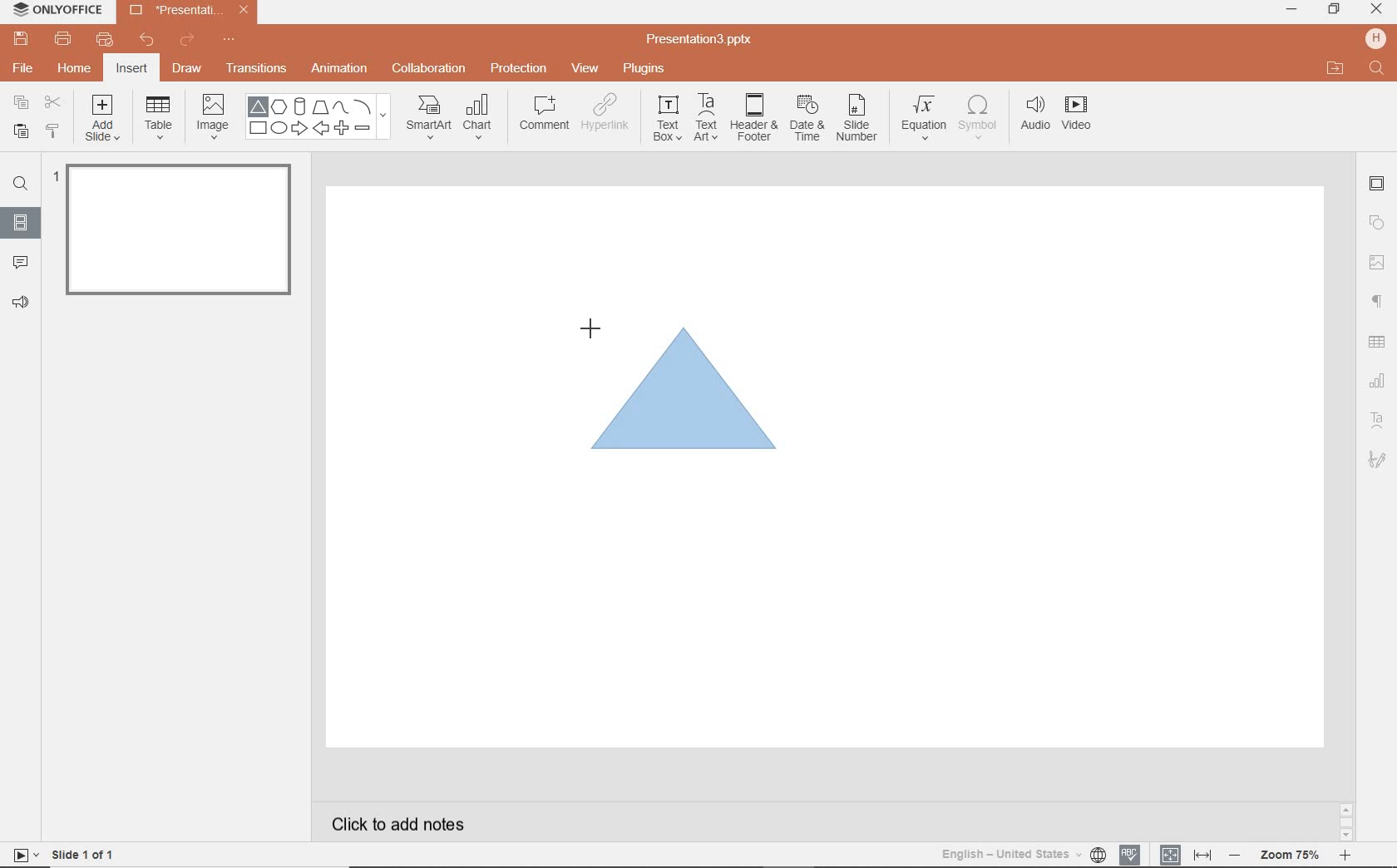 This screenshot has height=868, width=1397. I want to click on PROTECTION, so click(520, 67).